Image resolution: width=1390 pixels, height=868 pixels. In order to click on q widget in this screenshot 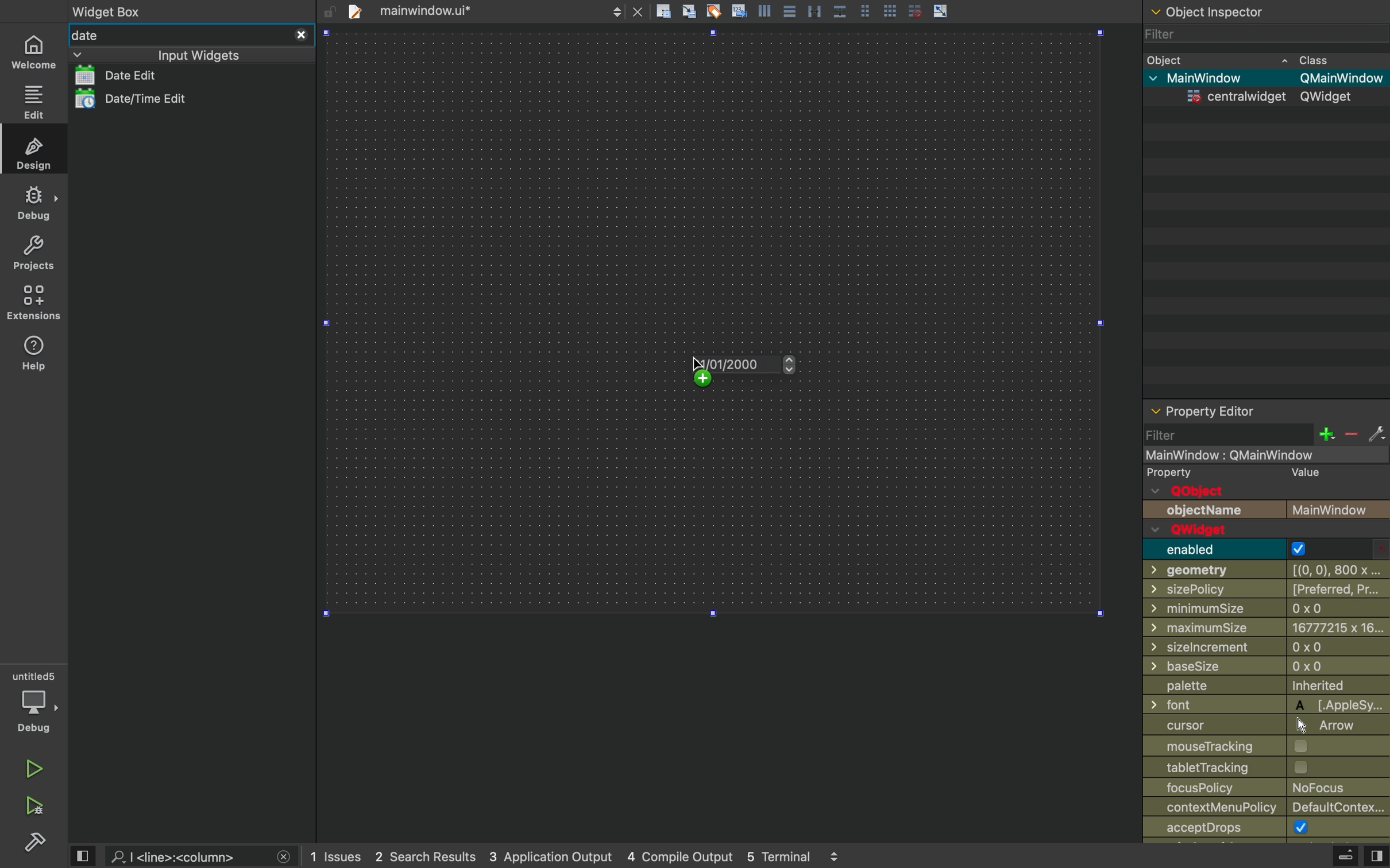, I will do `click(1235, 530)`.